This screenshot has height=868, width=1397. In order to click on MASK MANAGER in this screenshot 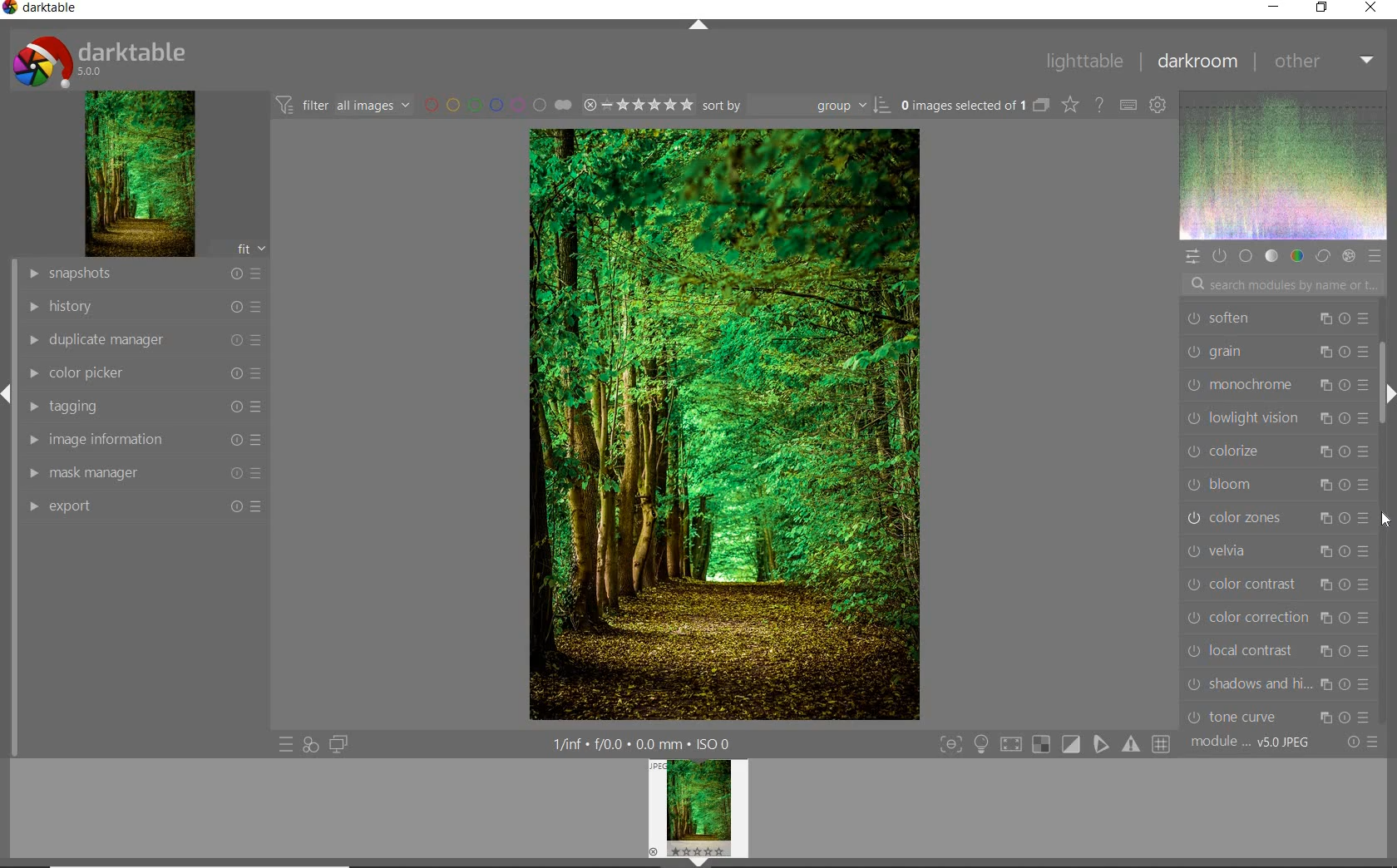, I will do `click(141, 475)`.